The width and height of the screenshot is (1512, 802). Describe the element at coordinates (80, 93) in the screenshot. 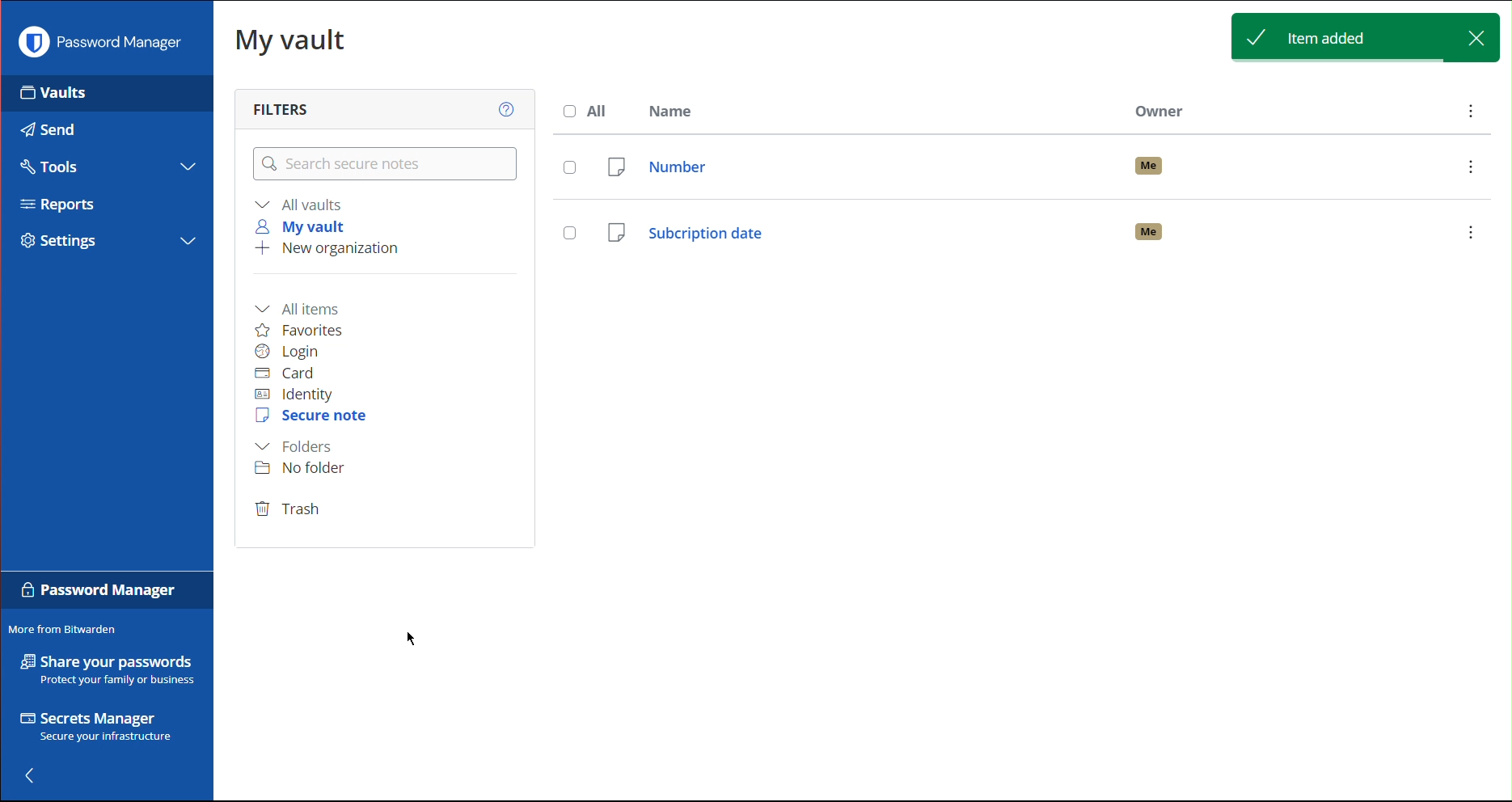

I see `Vaults` at that location.